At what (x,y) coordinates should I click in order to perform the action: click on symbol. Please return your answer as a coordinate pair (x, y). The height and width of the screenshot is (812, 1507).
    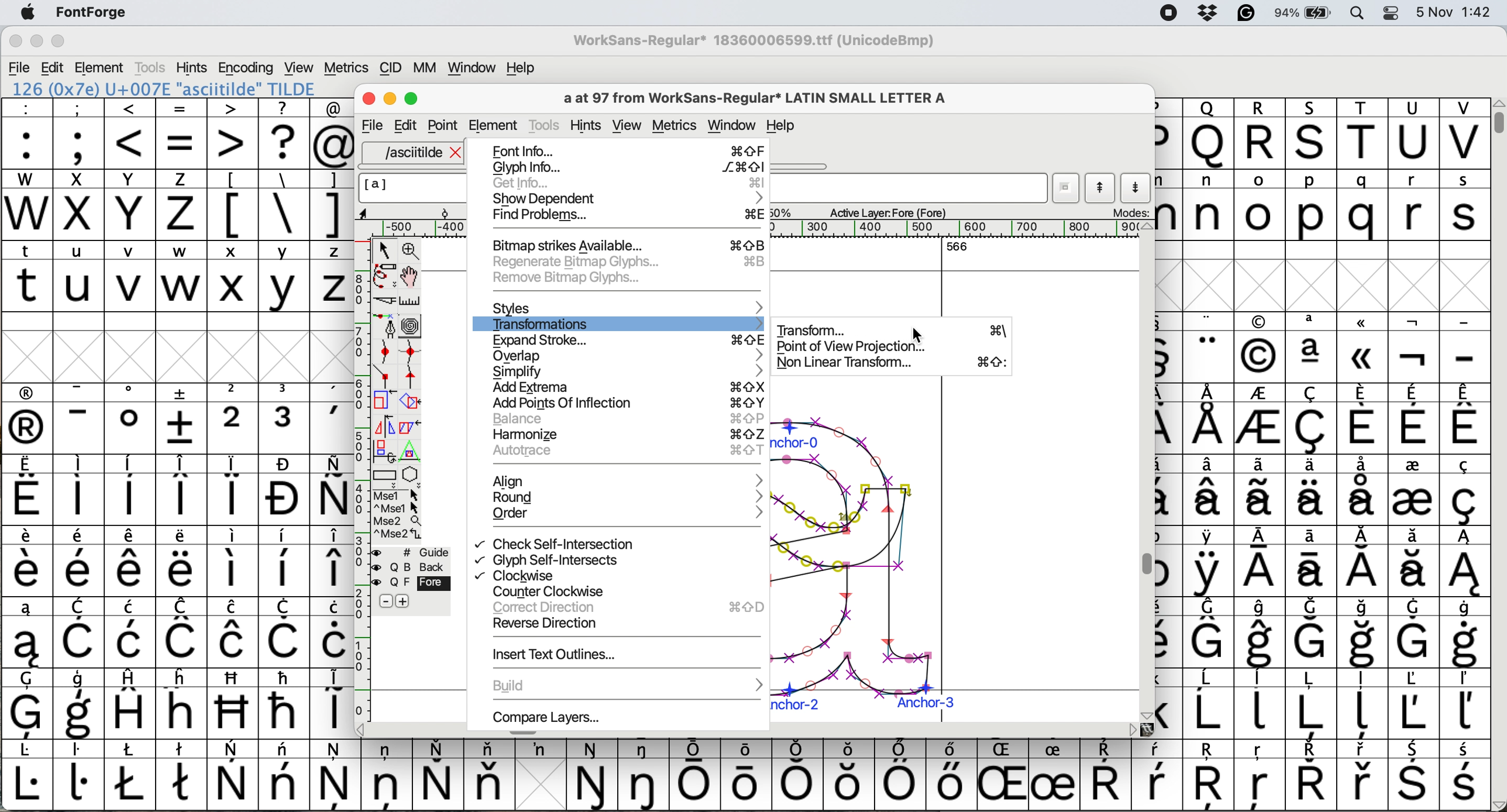
    Looking at the image, I should click on (80, 562).